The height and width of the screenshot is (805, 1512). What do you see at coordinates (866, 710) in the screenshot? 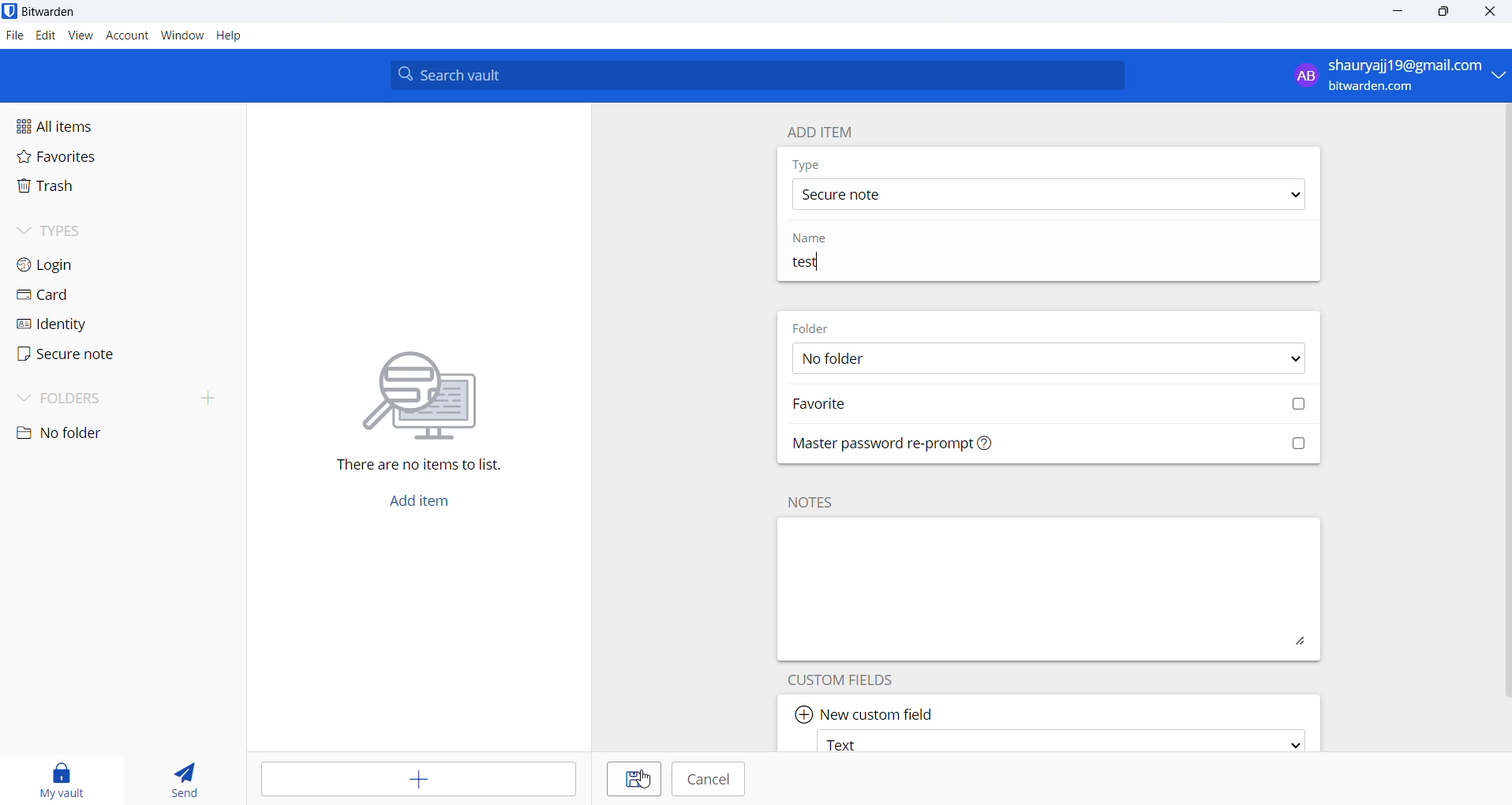
I see `add new field` at bounding box center [866, 710].